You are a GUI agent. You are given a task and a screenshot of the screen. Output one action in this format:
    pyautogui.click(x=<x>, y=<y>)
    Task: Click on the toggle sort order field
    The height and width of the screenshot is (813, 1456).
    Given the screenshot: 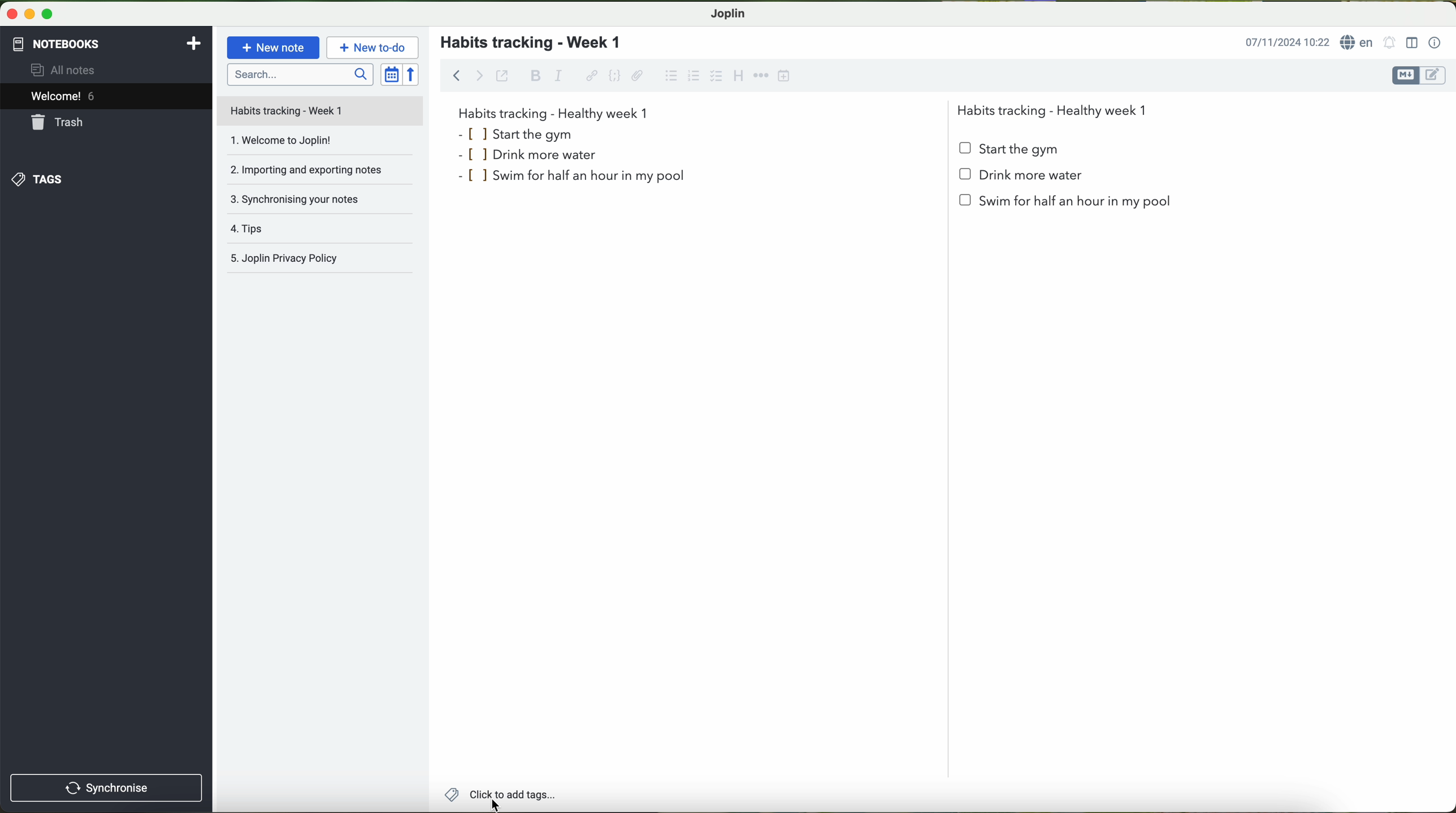 What is the action you would take?
    pyautogui.click(x=391, y=74)
    